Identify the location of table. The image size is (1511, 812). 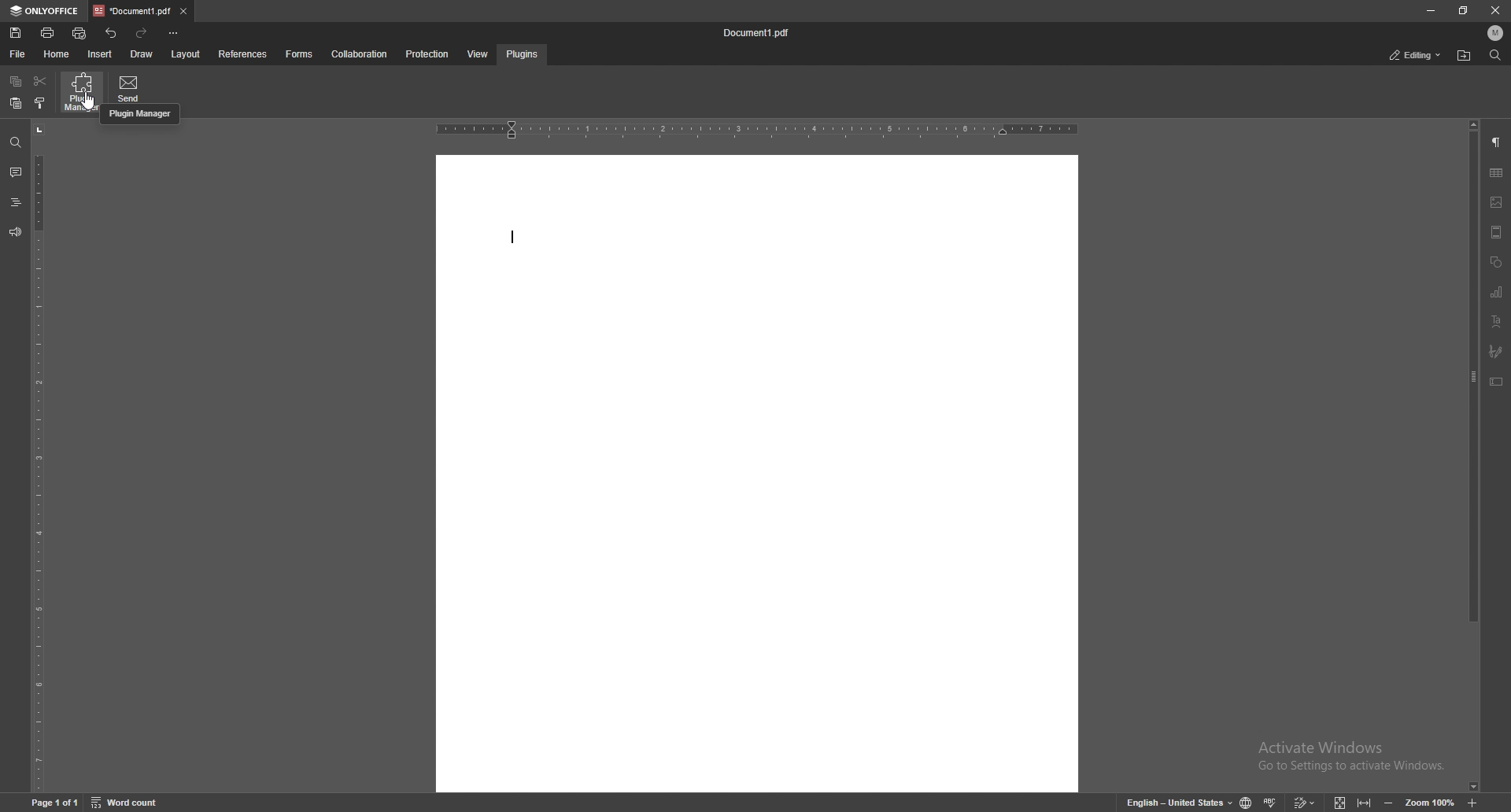
(1496, 173).